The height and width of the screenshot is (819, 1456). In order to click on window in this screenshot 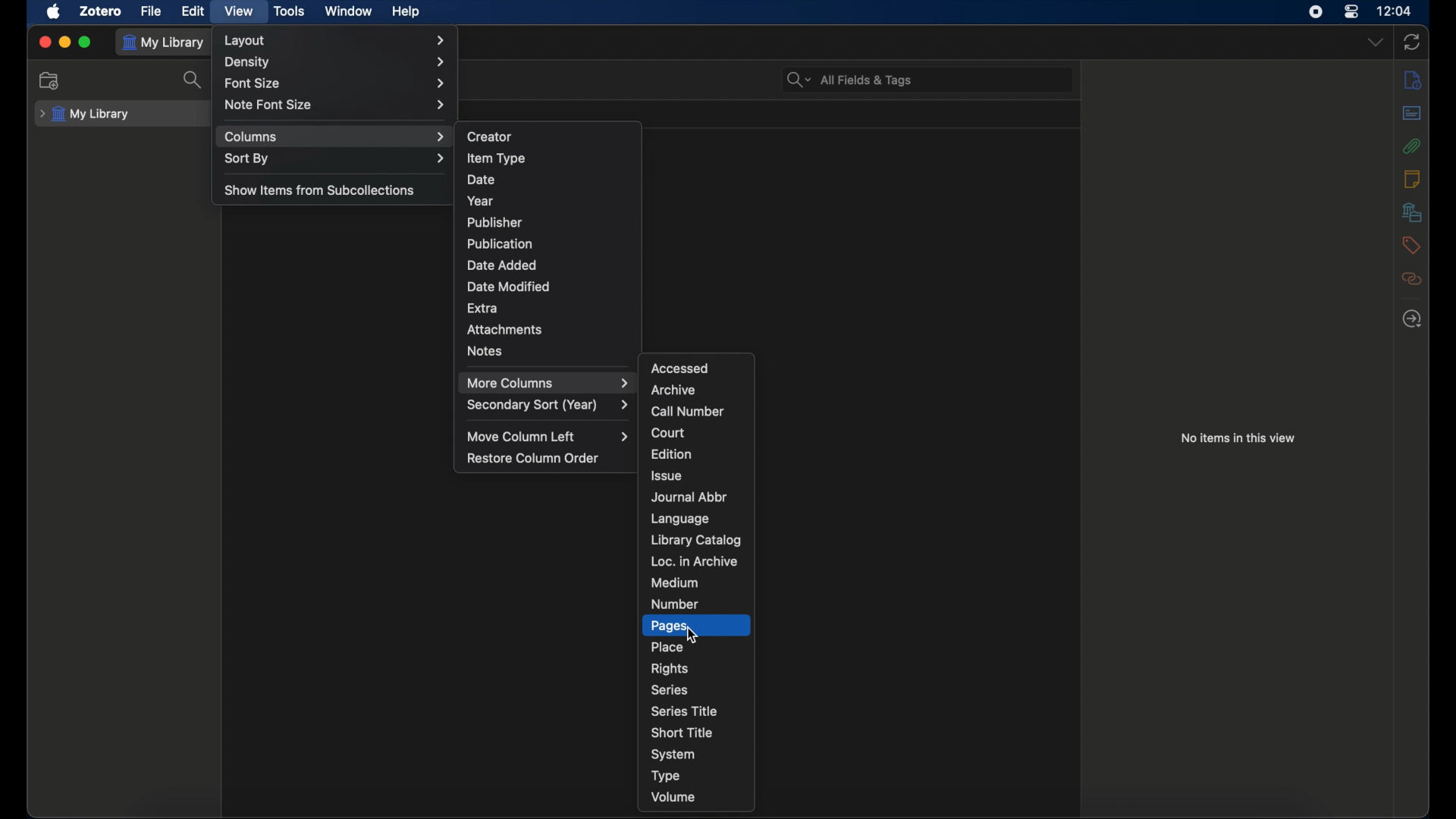, I will do `click(347, 12)`.